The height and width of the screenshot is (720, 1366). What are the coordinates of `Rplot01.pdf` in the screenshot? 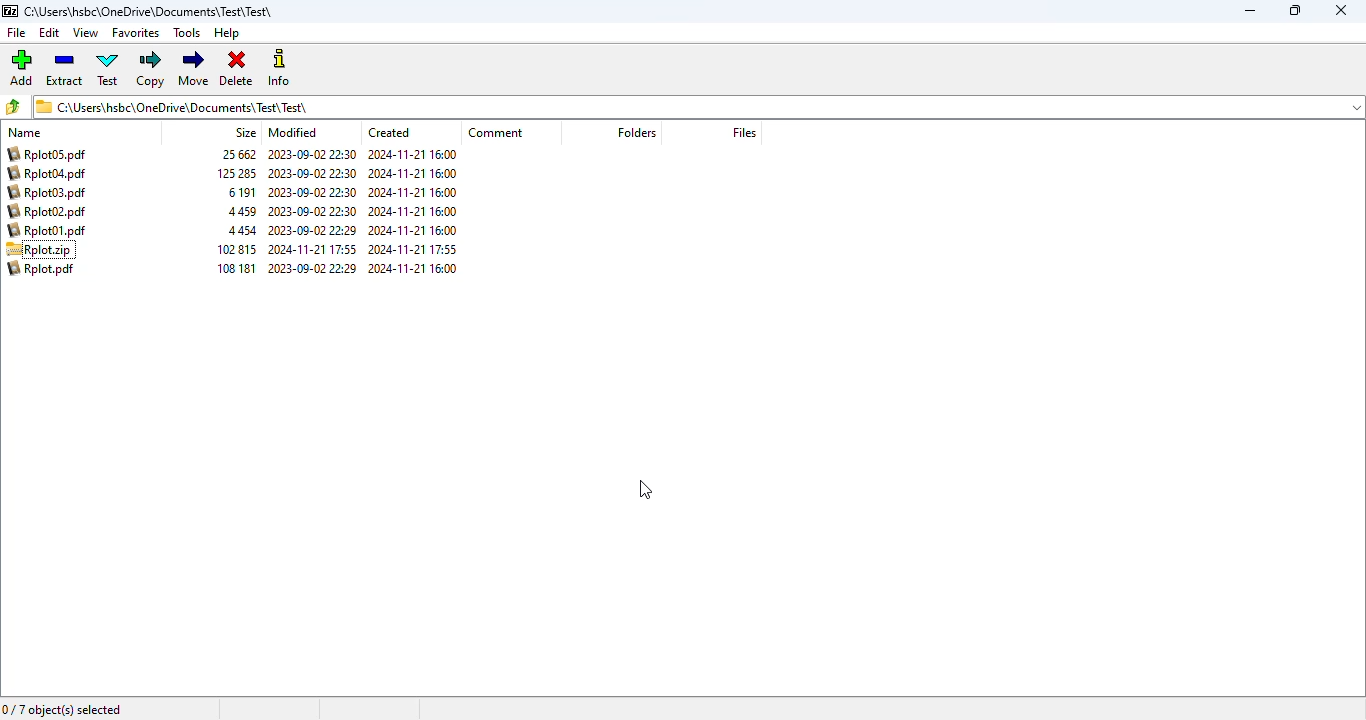 It's located at (48, 231).